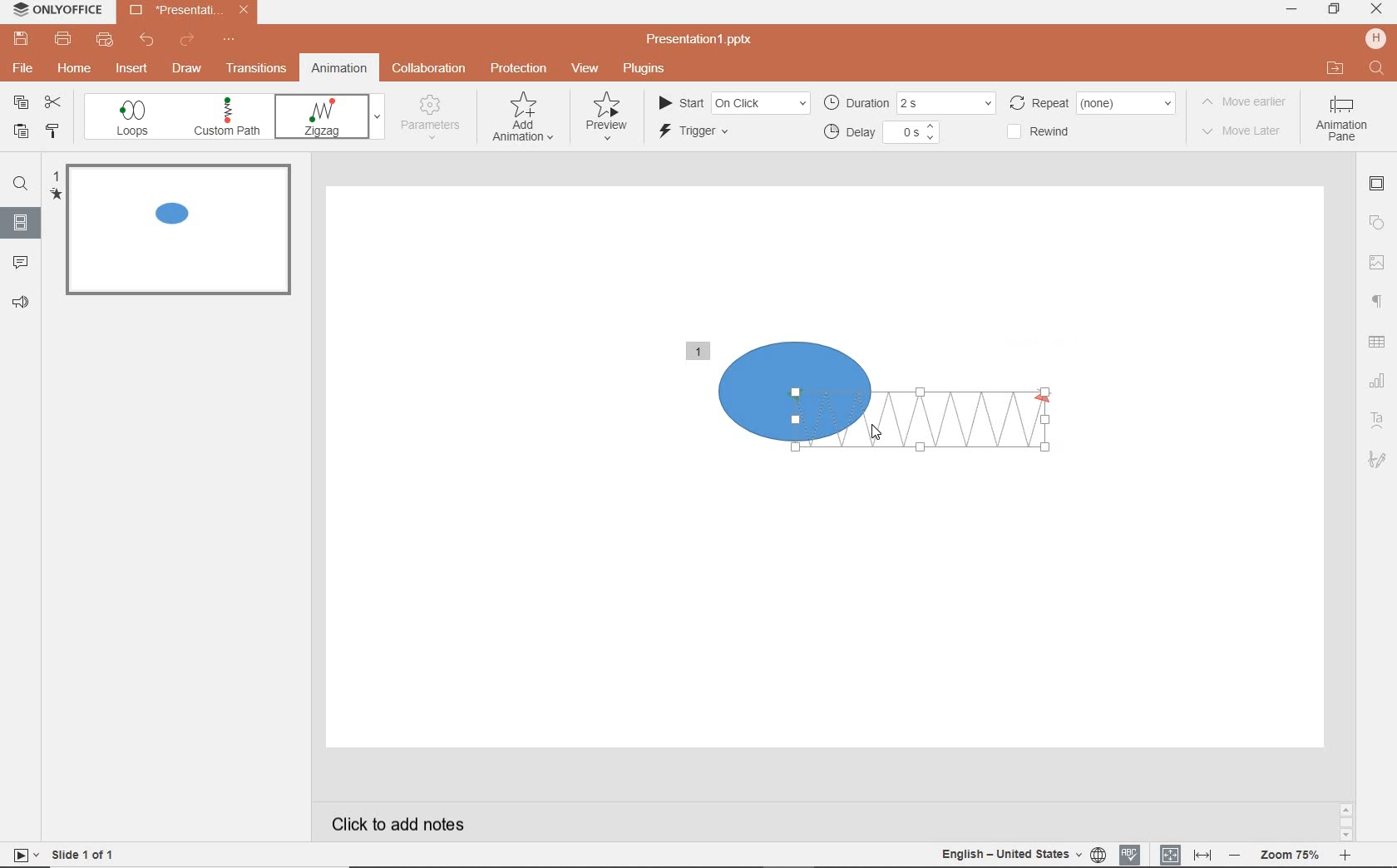 This screenshot has height=868, width=1397. What do you see at coordinates (1379, 71) in the screenshot?
I see `FIND` at bounding box center [1379, 71].